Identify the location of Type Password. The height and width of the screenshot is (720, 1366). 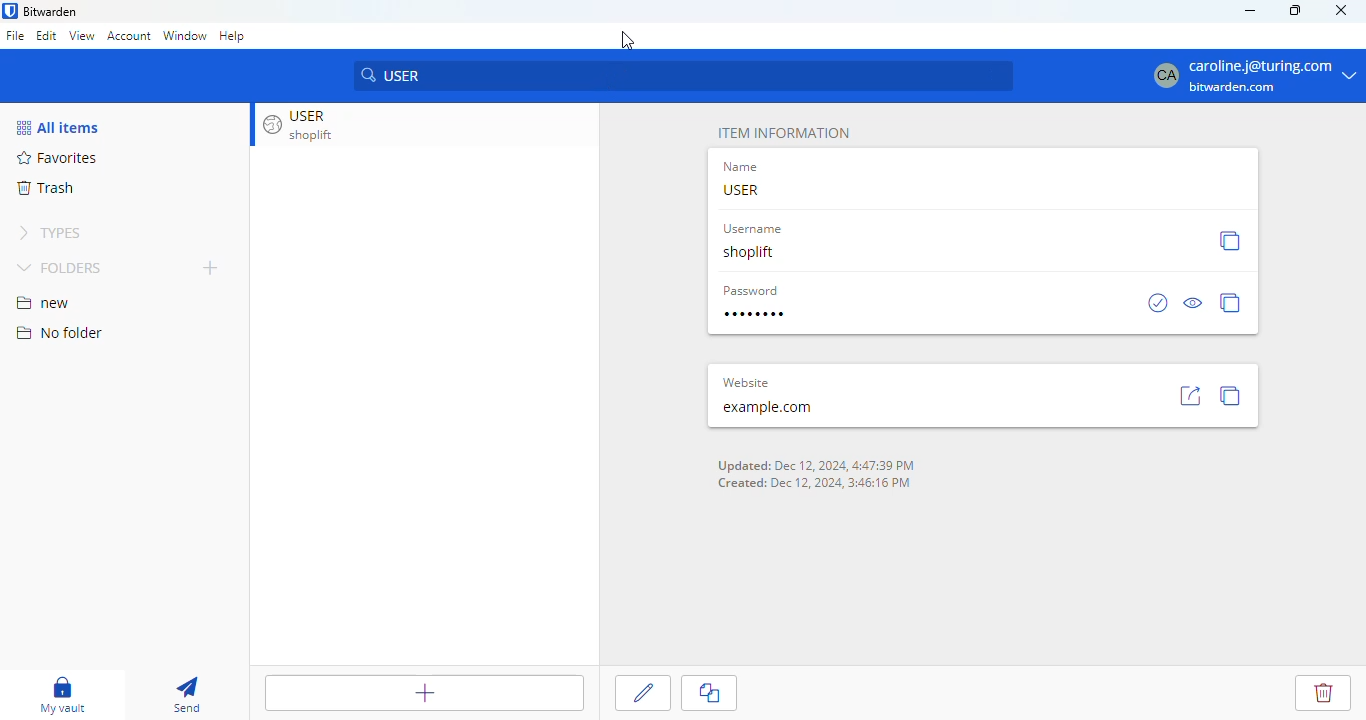
(757, 317).